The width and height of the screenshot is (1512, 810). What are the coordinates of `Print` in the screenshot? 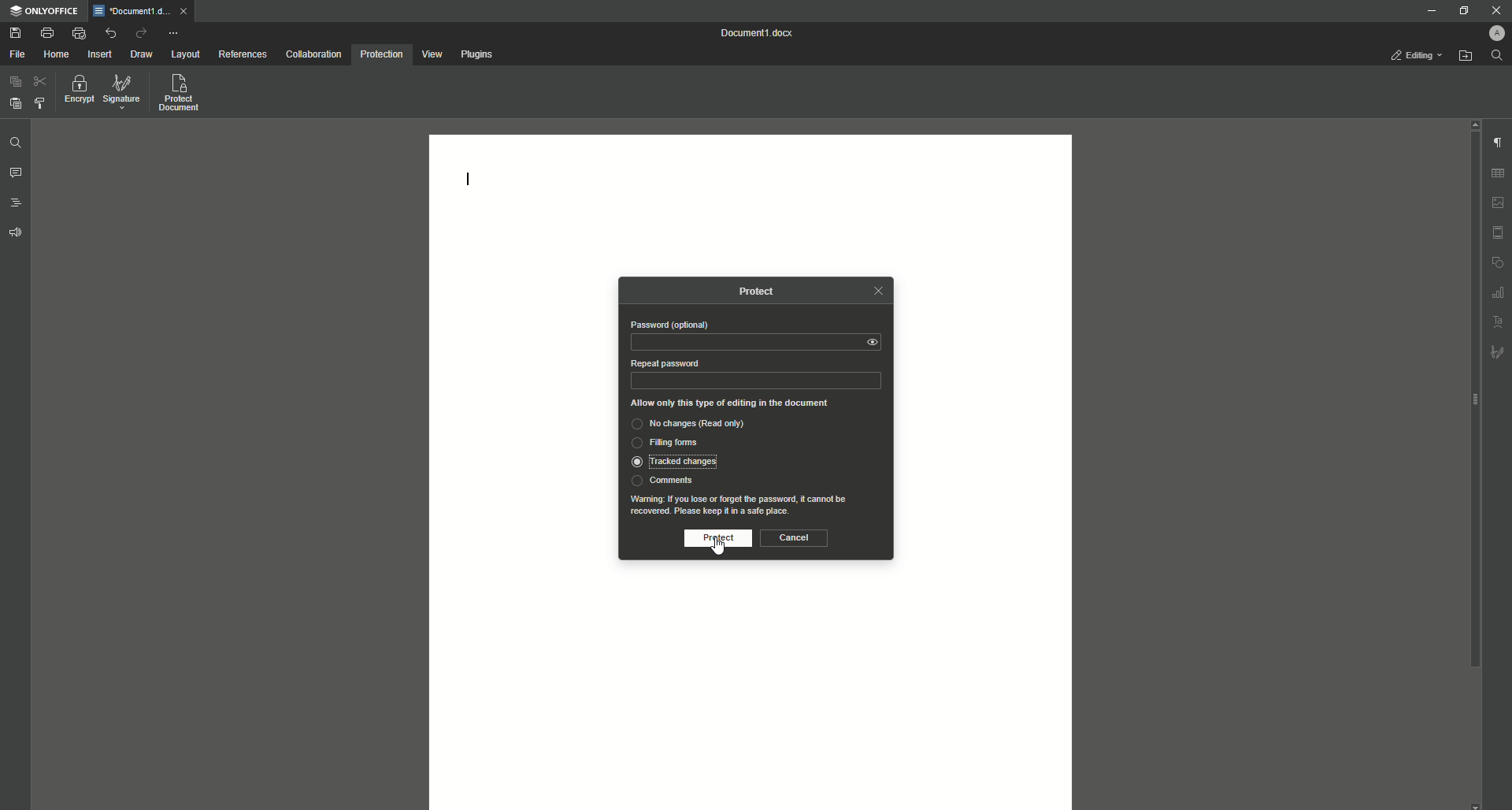 It's located at (45, 33).